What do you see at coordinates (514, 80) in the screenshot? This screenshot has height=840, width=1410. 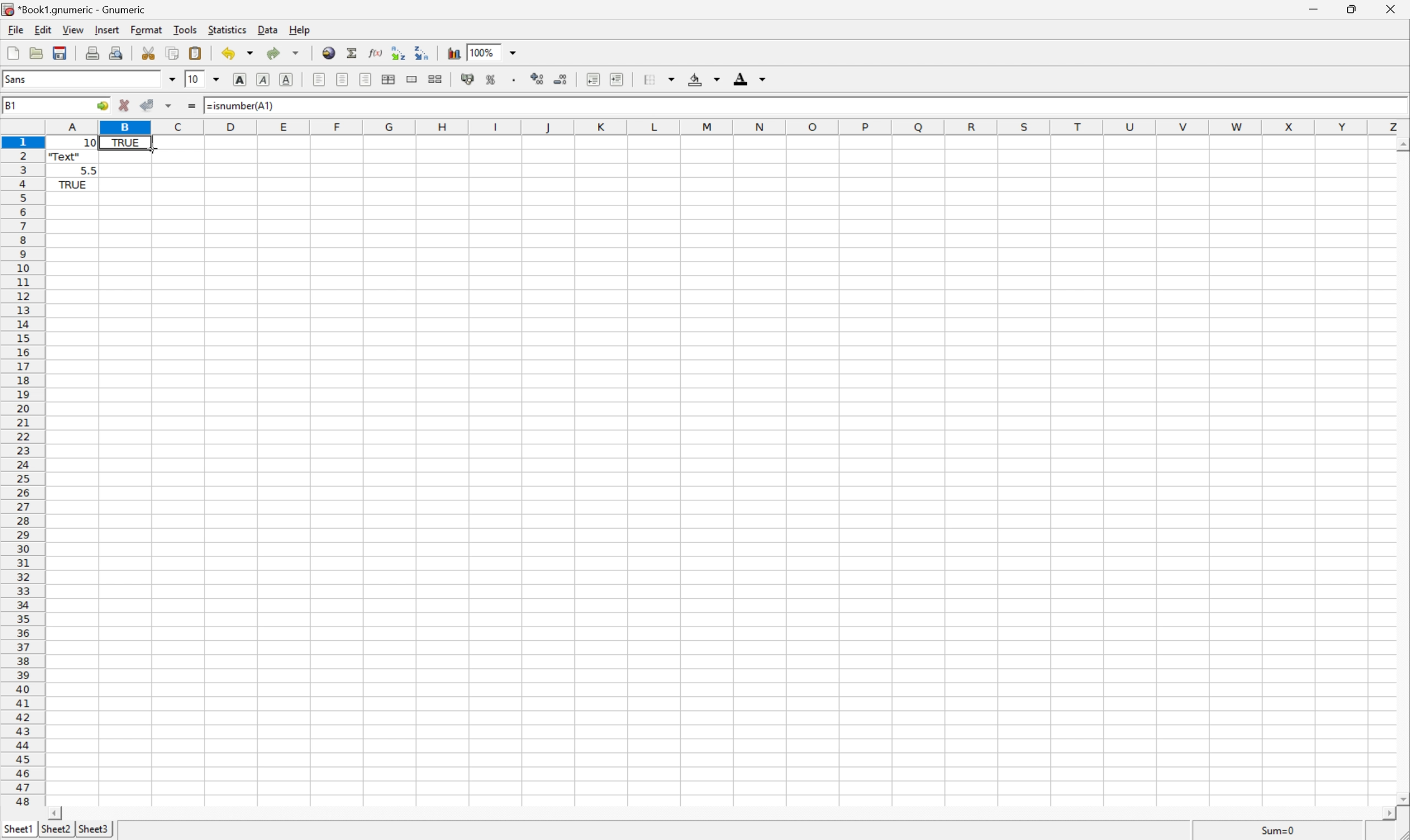 I see `Set the format of the selected cells to include a thousands separator` at bounding box center [514, 80].